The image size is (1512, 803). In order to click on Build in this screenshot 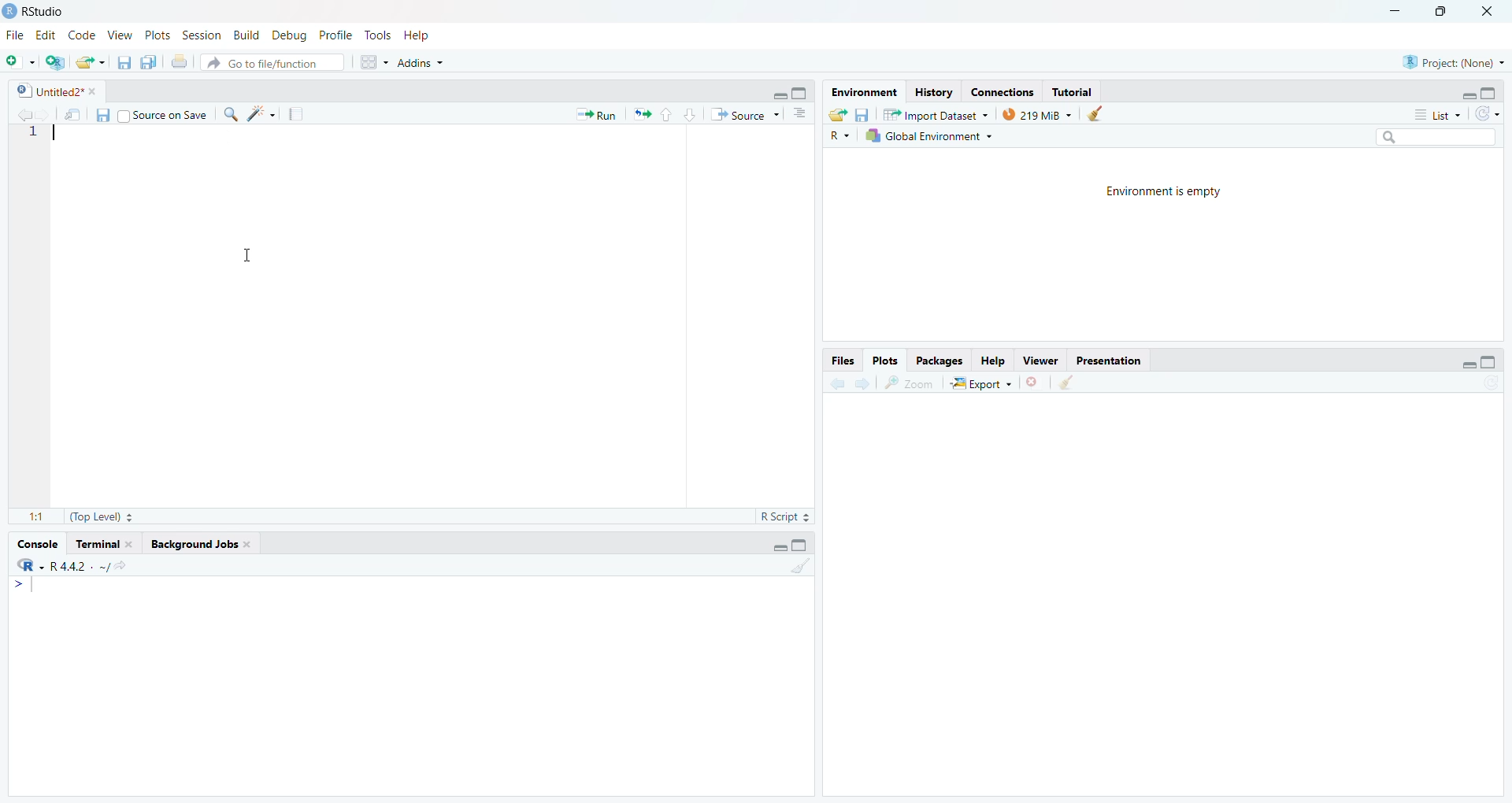, I will do `click(247, 35)`.